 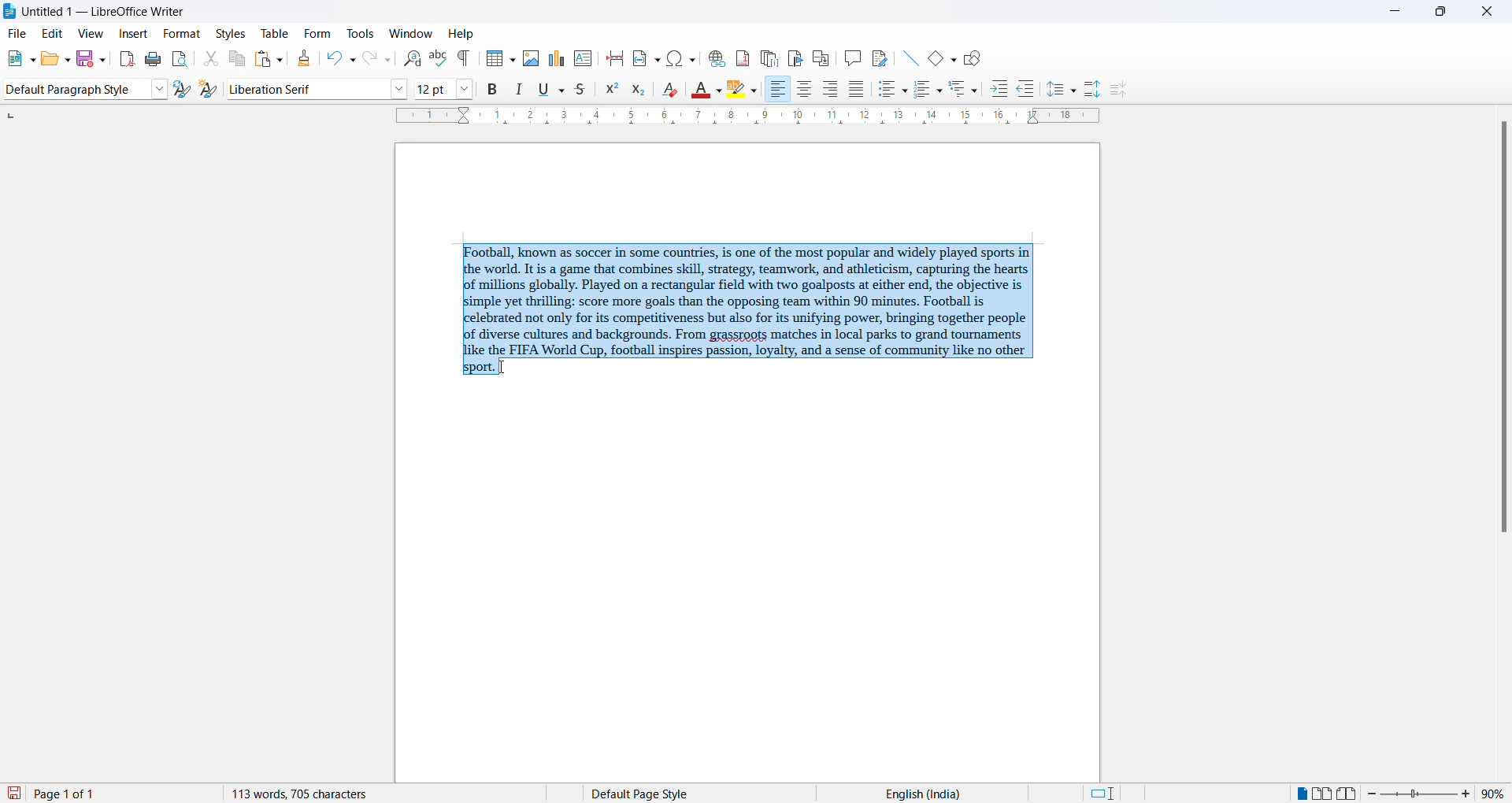 I want to click on insert cross-reference, so click(x=825, y=58).